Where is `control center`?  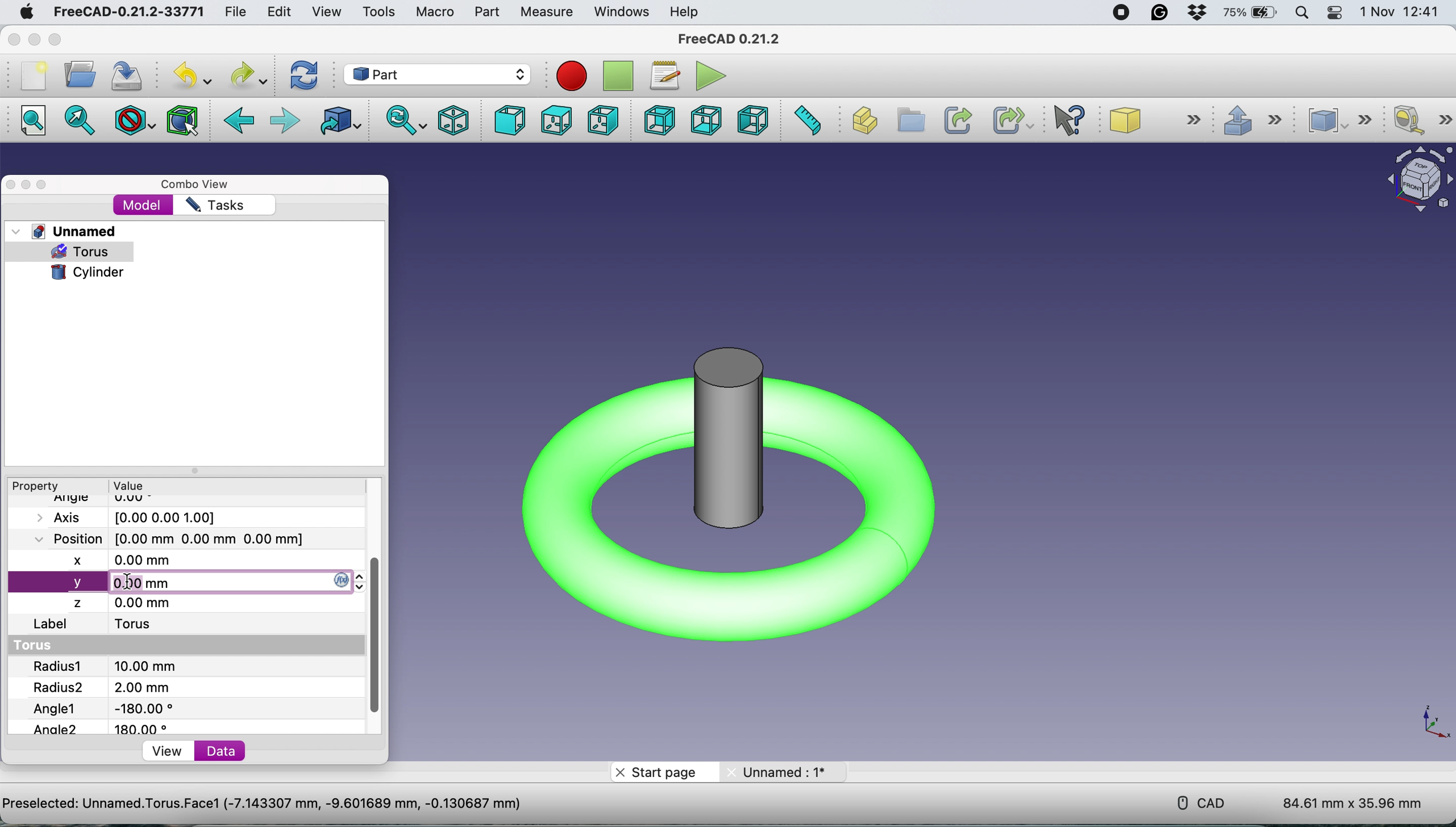 control center is located at coordinates (1333, 13).